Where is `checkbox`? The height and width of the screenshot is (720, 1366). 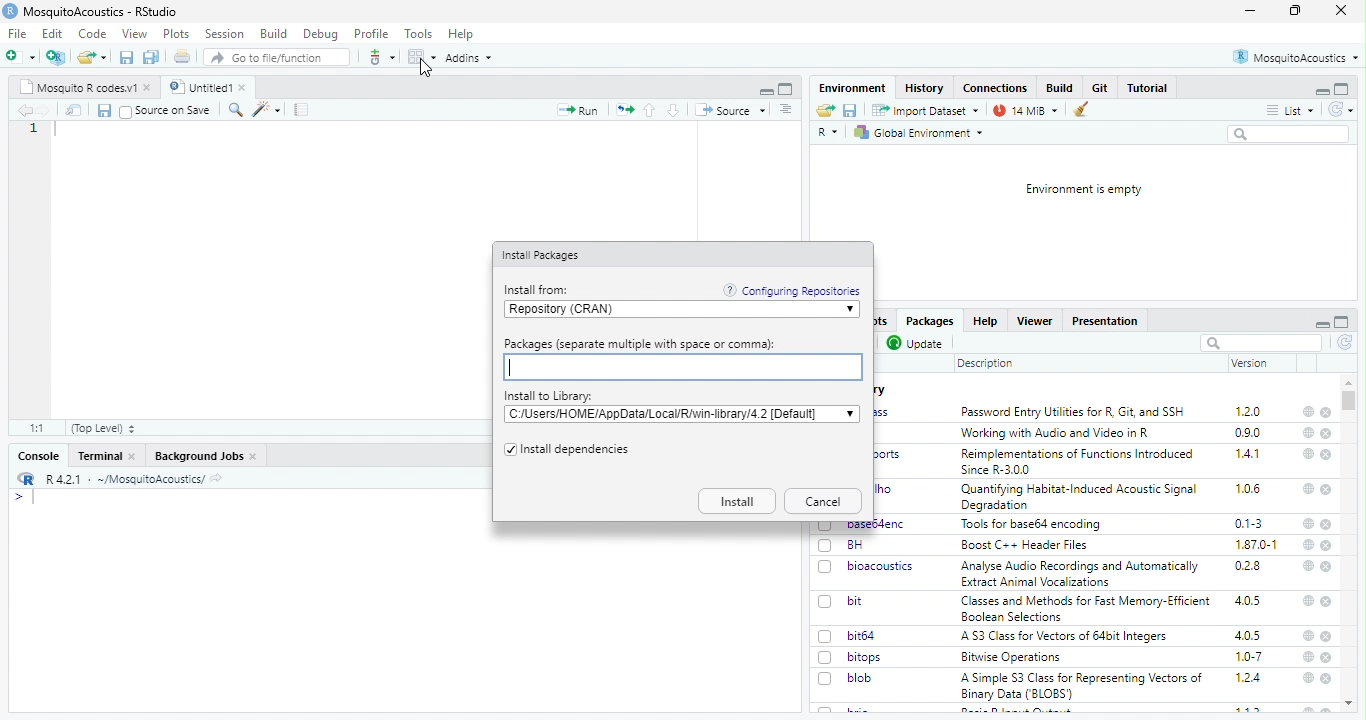
checkbox is located at coordinates (826, 603).